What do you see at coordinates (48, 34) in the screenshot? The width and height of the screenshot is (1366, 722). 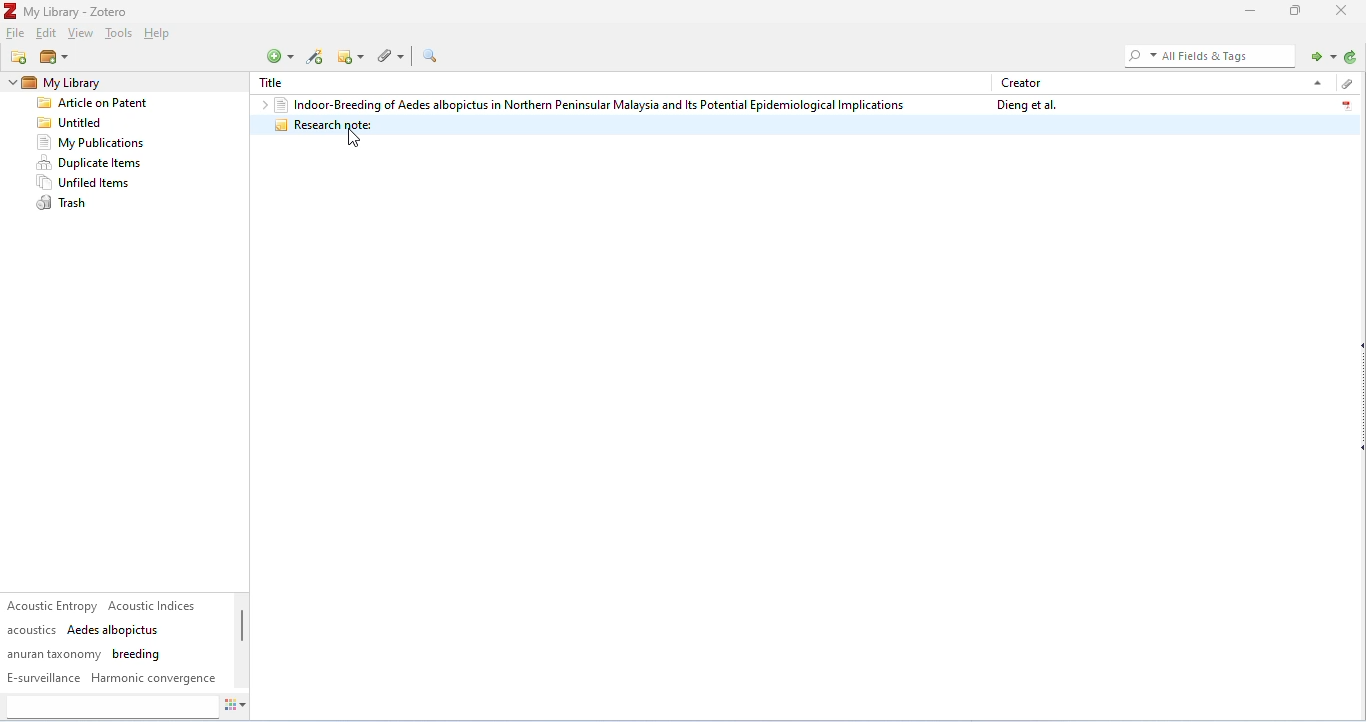 I see `edit` at bounding box center [48, 34].